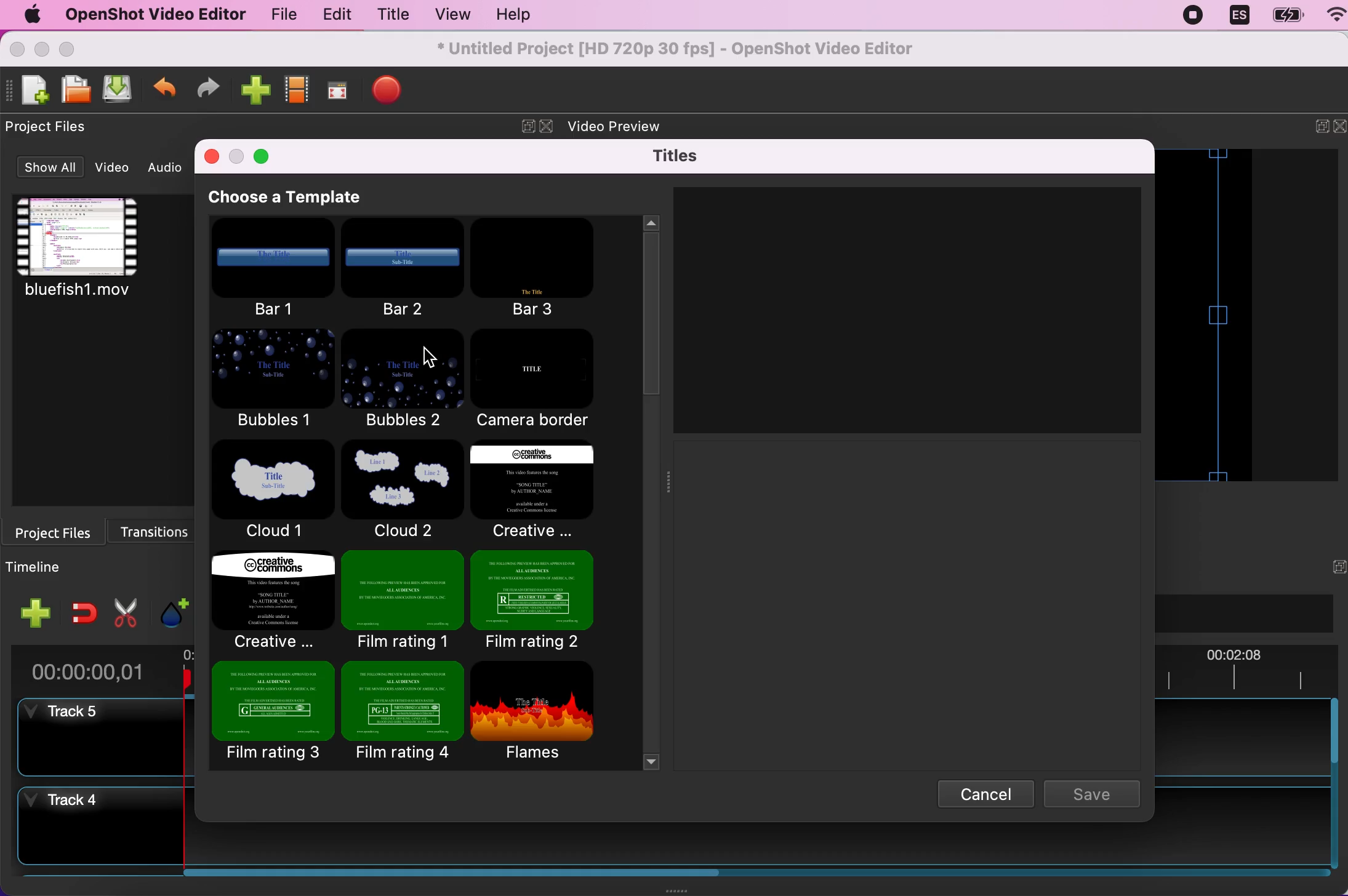 This screenshot has width=1348, height=896. I want to click on vertical slider, so click(656, 330).